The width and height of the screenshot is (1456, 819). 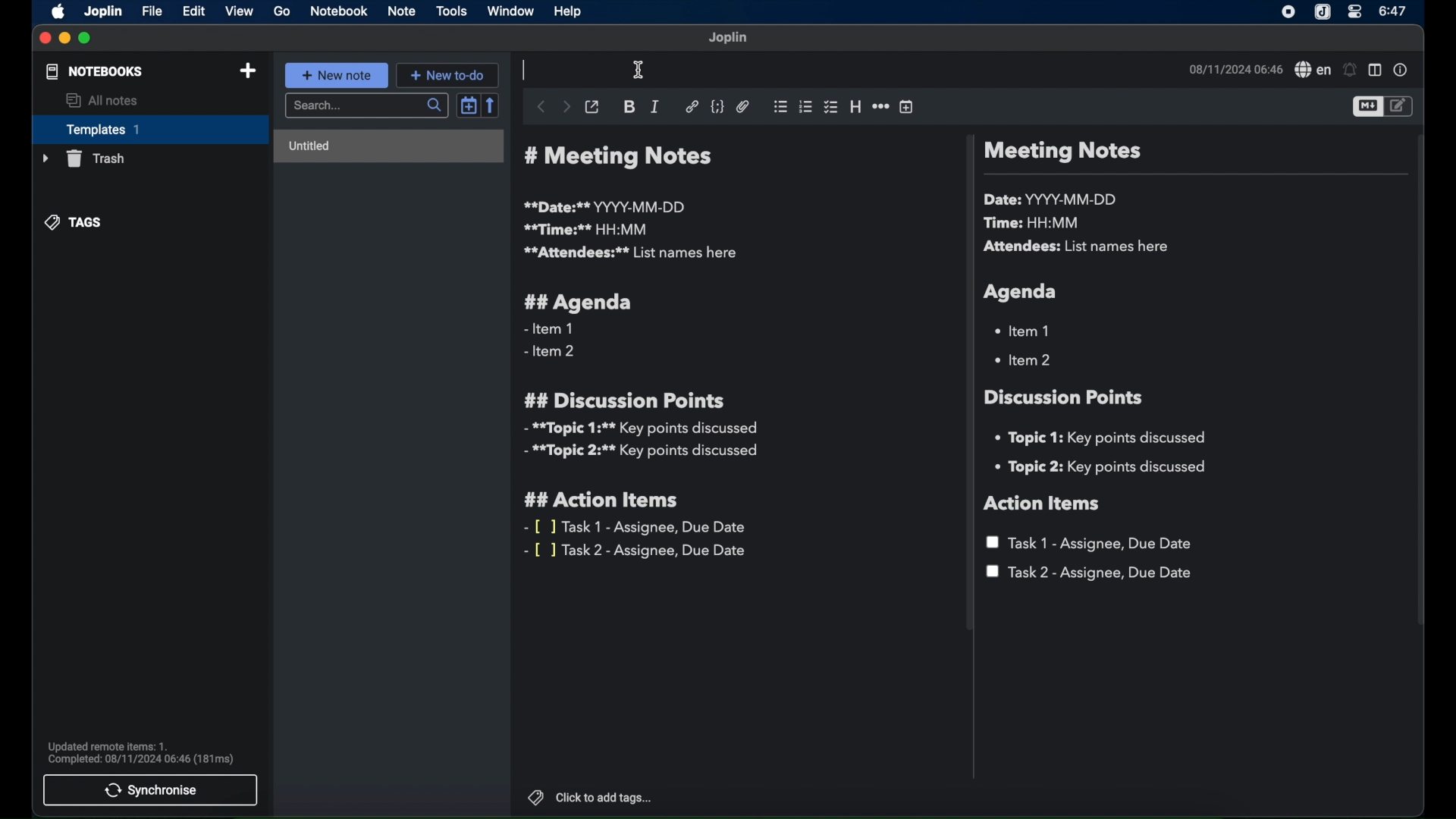 What do you see at coordinates (466, 107) in the screenshot?
I see `toggle sort order  field` at bounding box center [466, 107].